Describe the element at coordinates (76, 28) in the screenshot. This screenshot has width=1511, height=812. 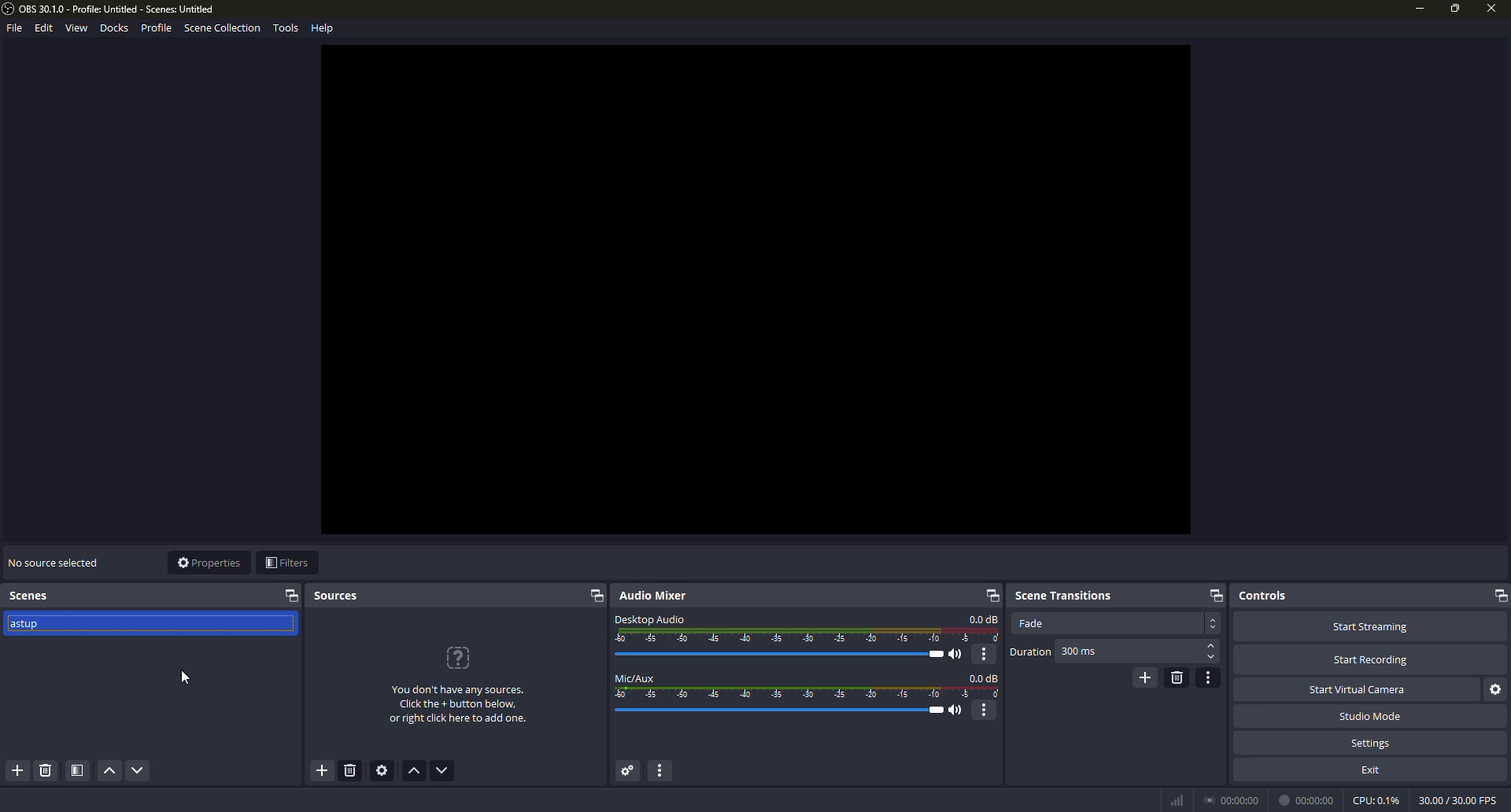
I see `view` at that location.